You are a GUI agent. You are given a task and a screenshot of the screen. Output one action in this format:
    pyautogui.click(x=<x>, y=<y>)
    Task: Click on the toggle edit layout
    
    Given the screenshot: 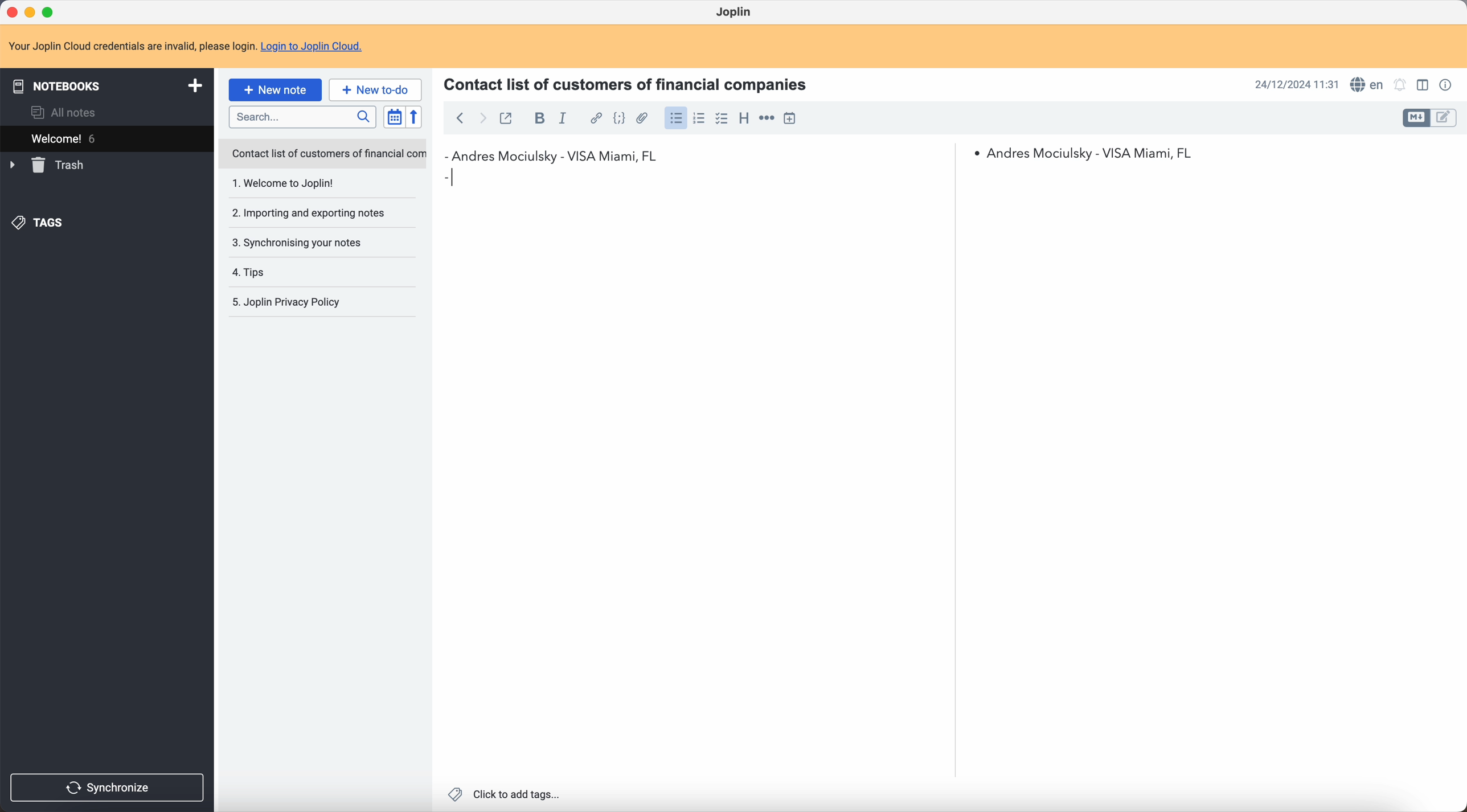 What is the action you would take?
    pyautogui.click(x=1417, y=118)
    